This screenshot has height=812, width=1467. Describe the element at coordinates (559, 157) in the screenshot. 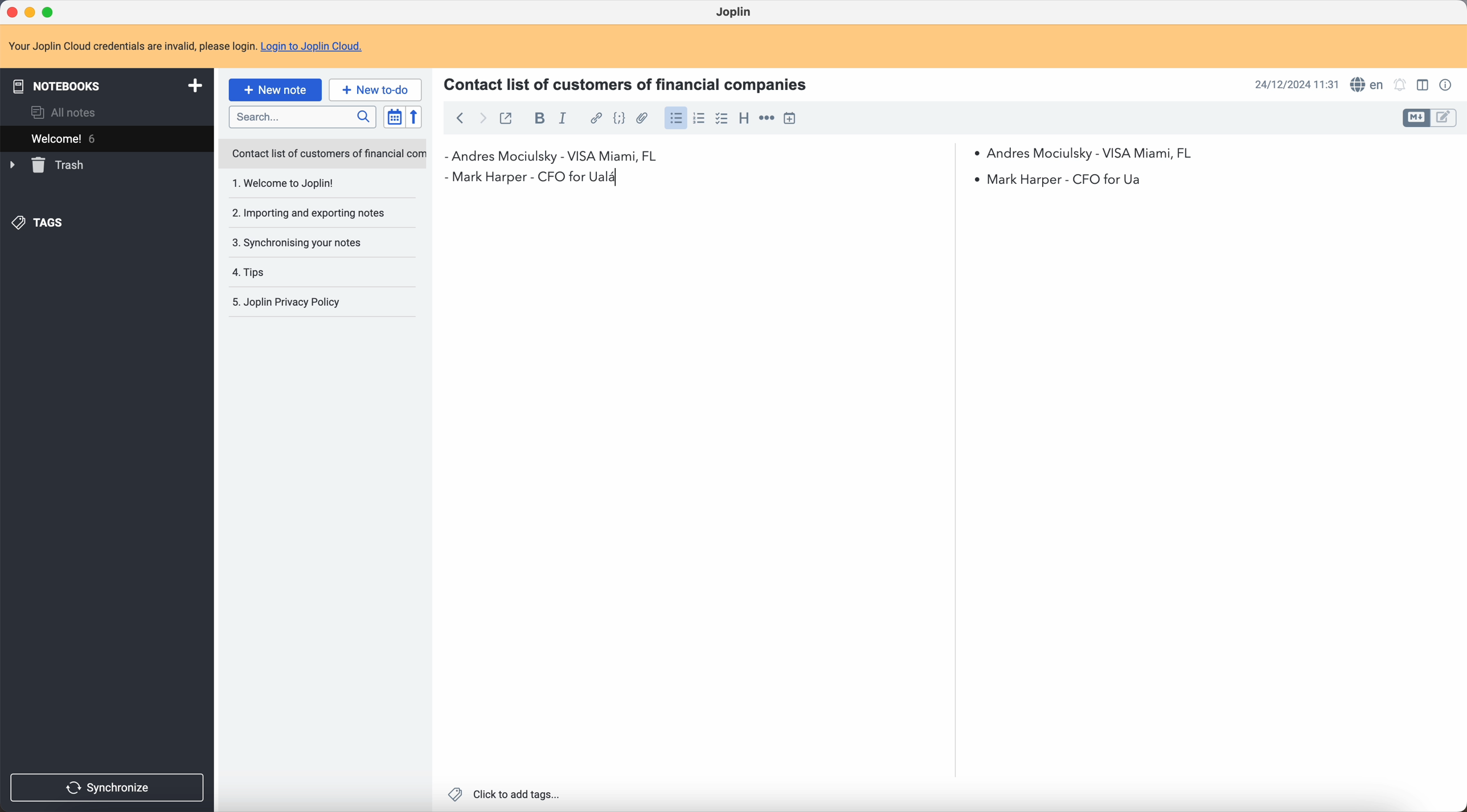

I see `first contact` at that location.